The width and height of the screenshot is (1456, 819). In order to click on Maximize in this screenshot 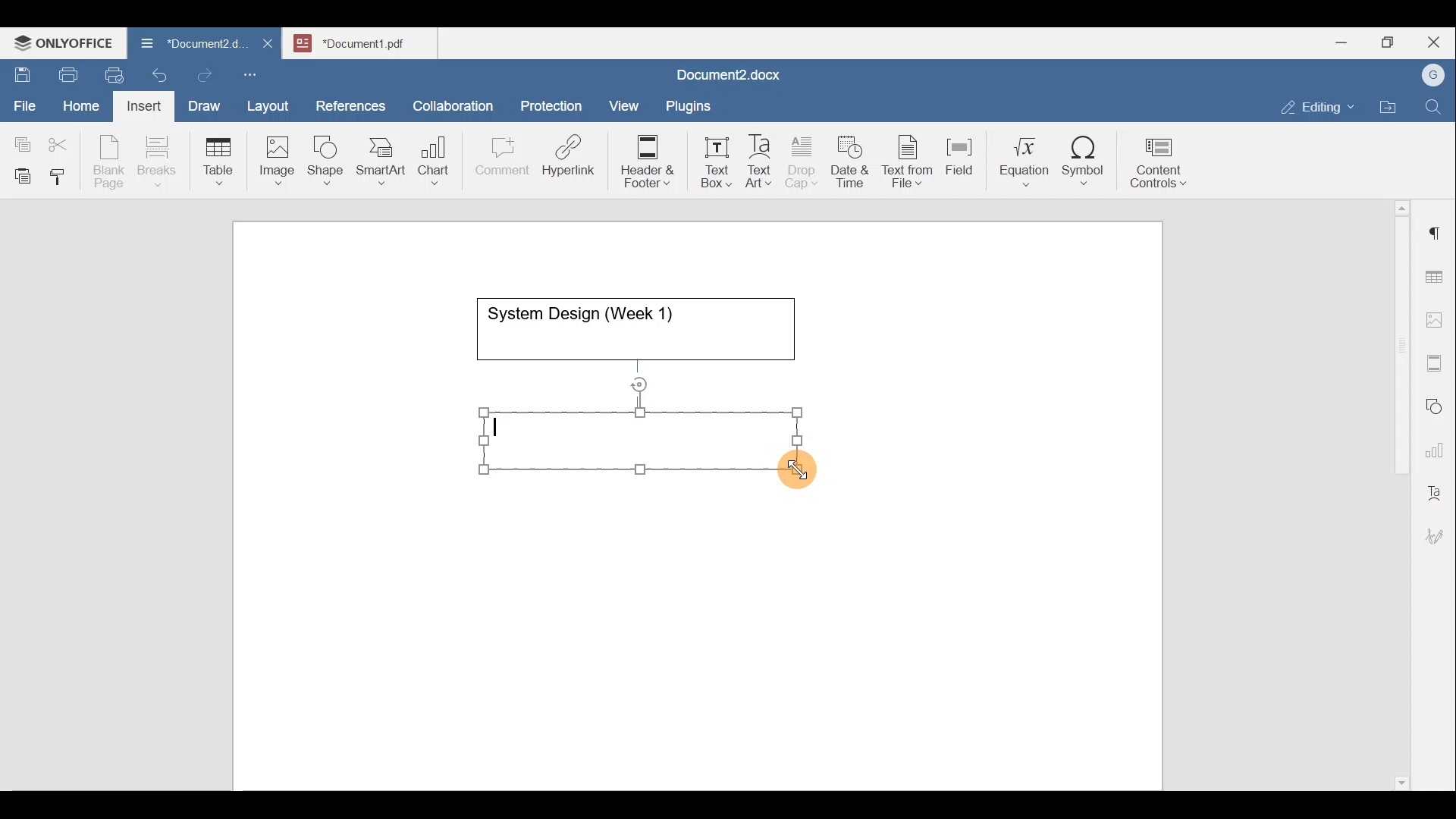, I will do `click(1392, 42)`.